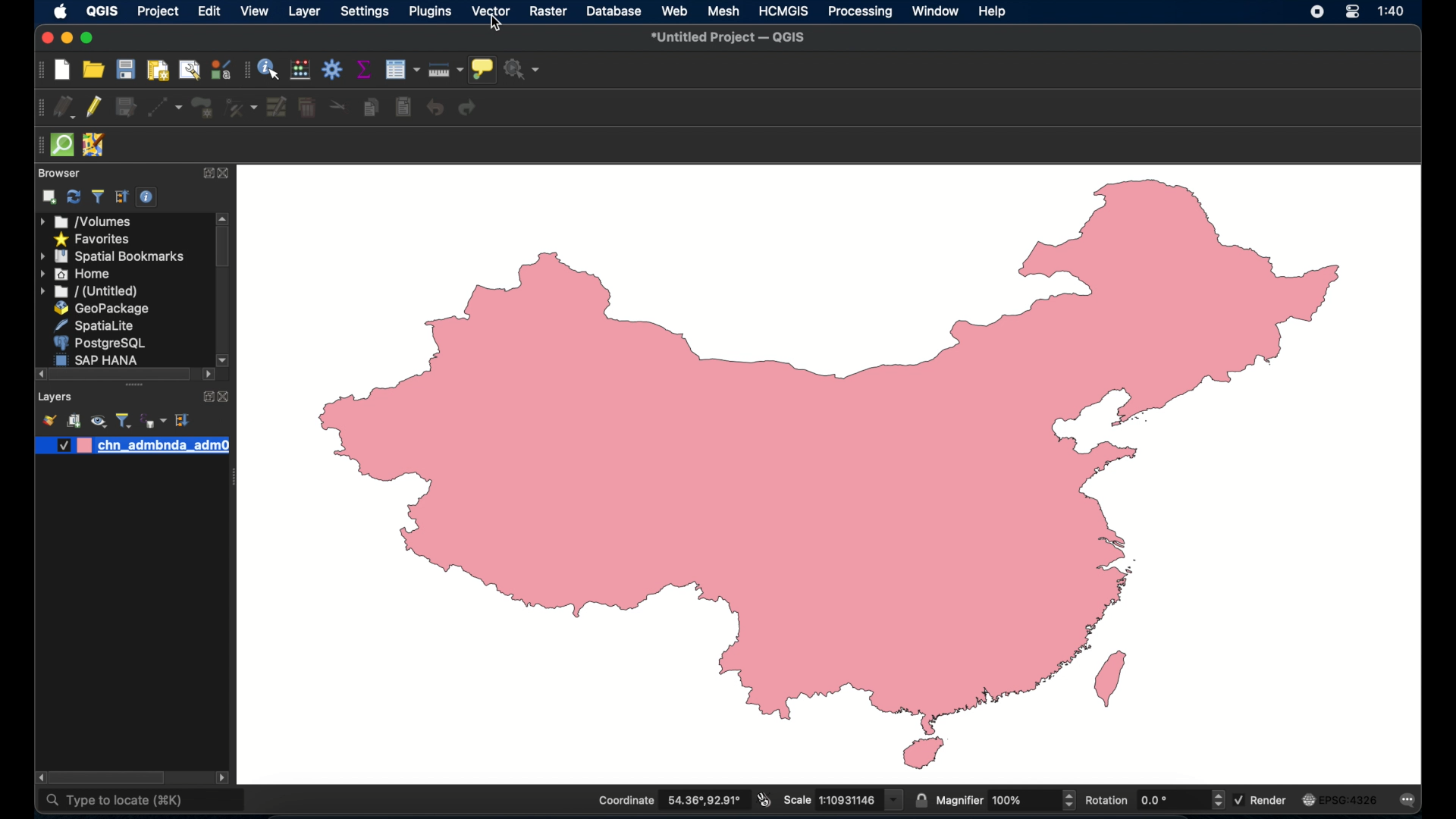 Image resolution: width=1456 pixels, height=819 pixels. Describe the element at coordinates (278, 107) in the screenshot. I see `modify attributes` at that location.